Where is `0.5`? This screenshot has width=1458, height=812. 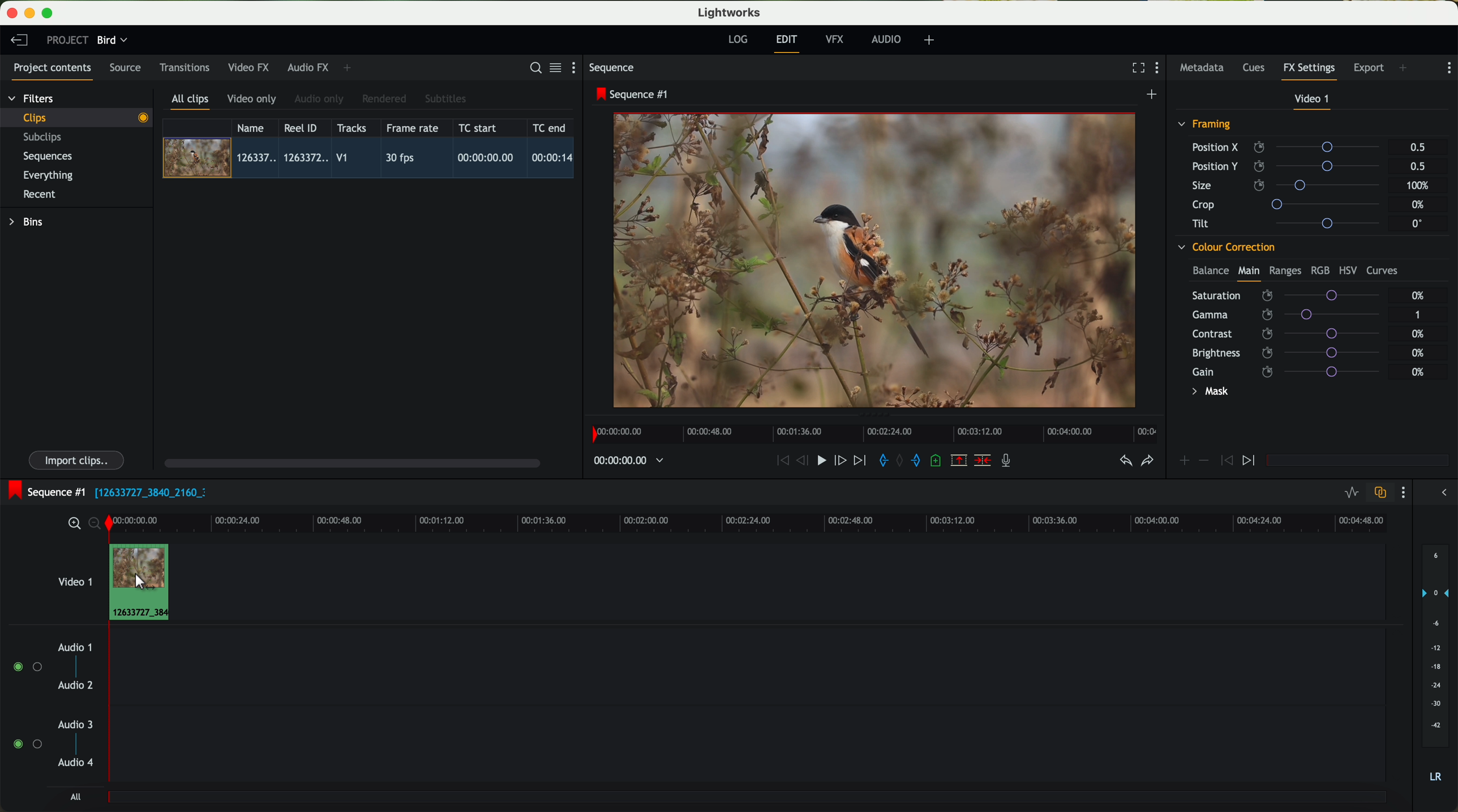 0.5 is located at coordinates (1418, 148).